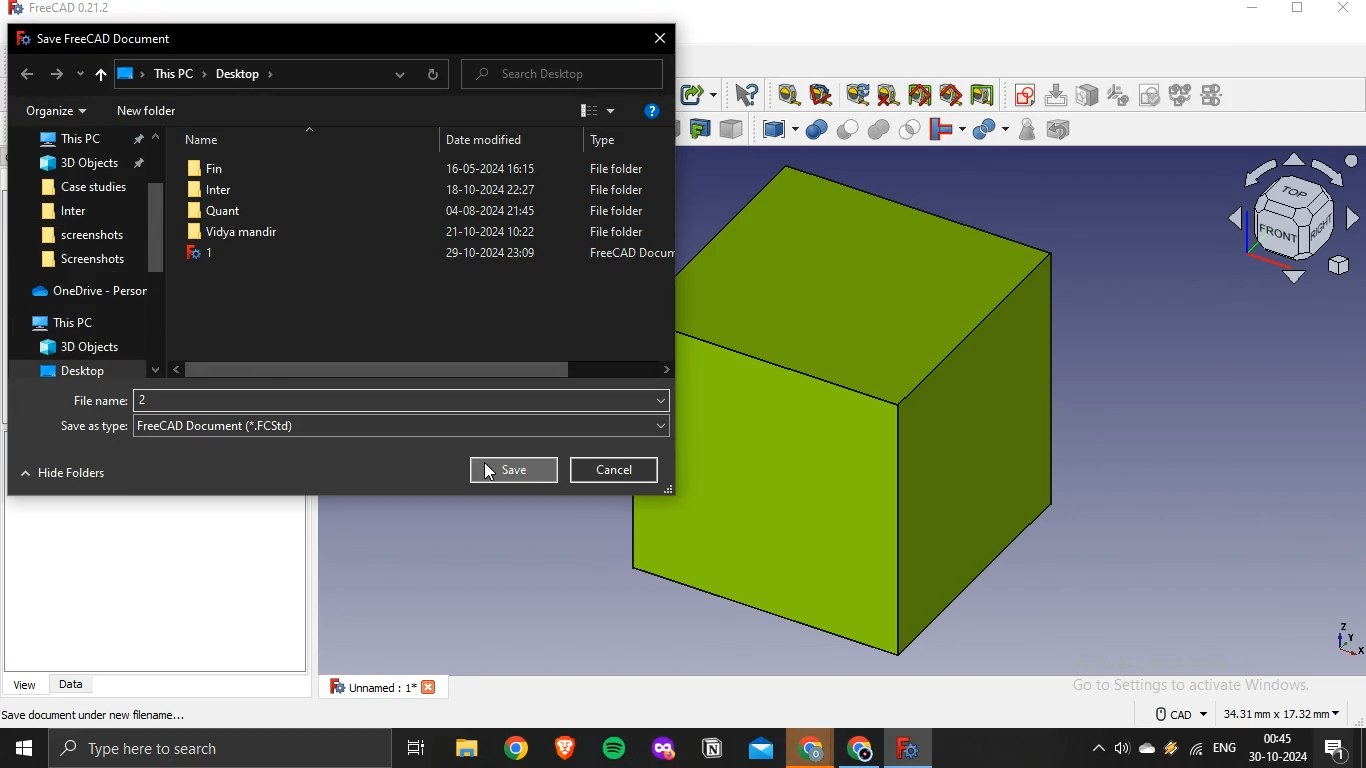 Image resolution: width=1366 pixels, height=768 pixels. What do you see at coordinates (790, 94) in the screenshot?
I see `measure linear` at bounding box center [790, 94].